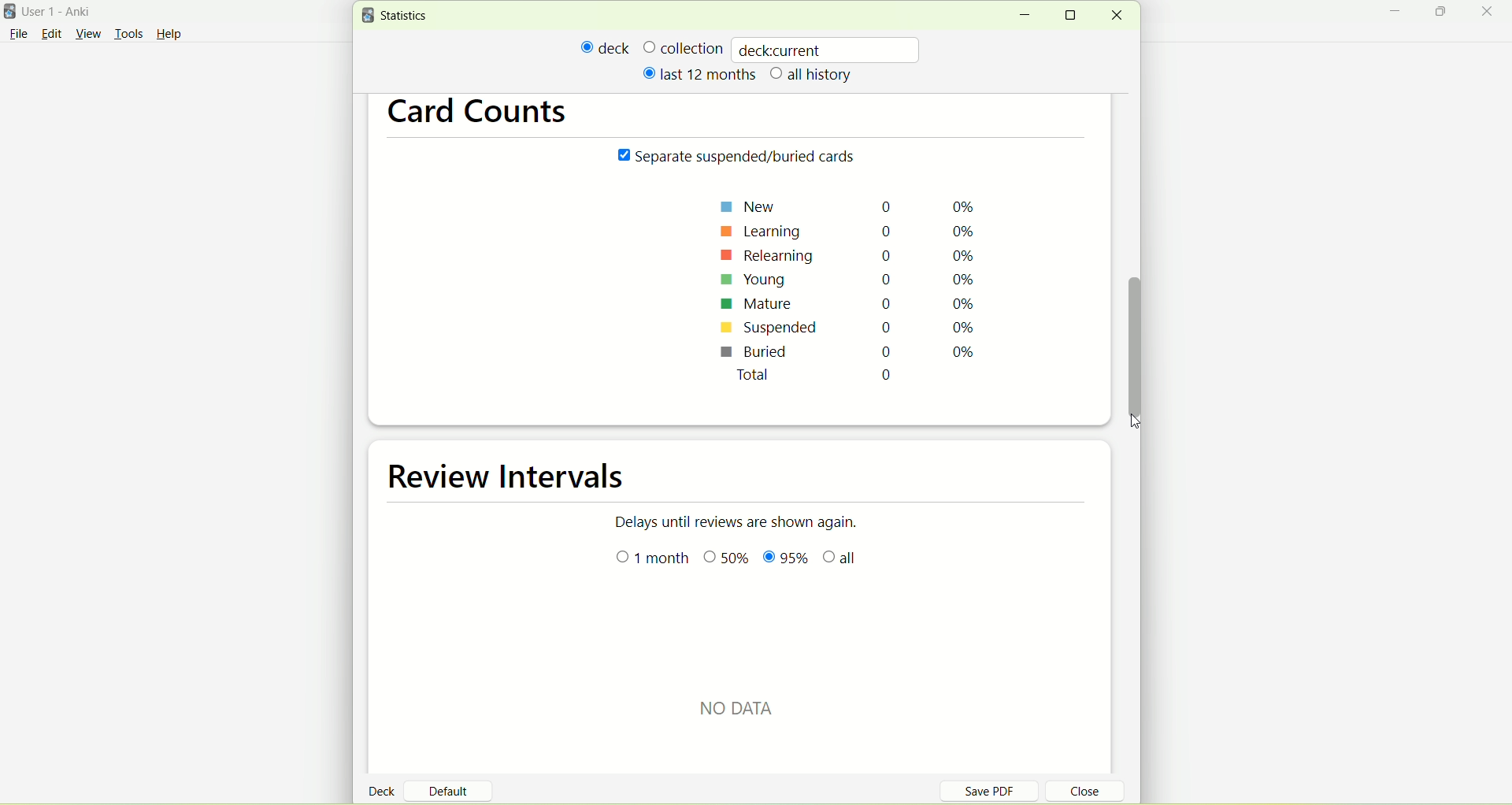 Image resolution: width=1512 pixels, height=805 pixels. Describe the element at coordinates (746, 521) in the screenshot. I see `Delays until reviews are shown again.` at that location.